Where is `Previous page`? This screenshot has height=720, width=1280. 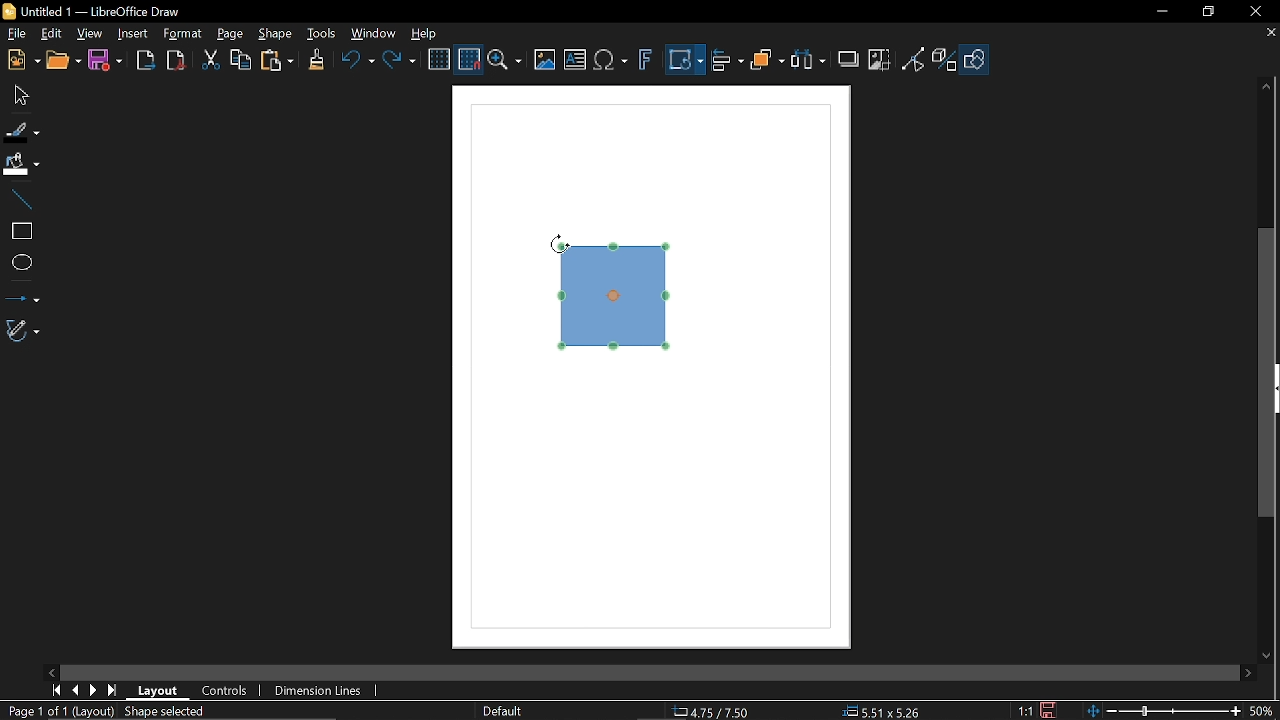
Previous page is located at coordinates (75, 689).